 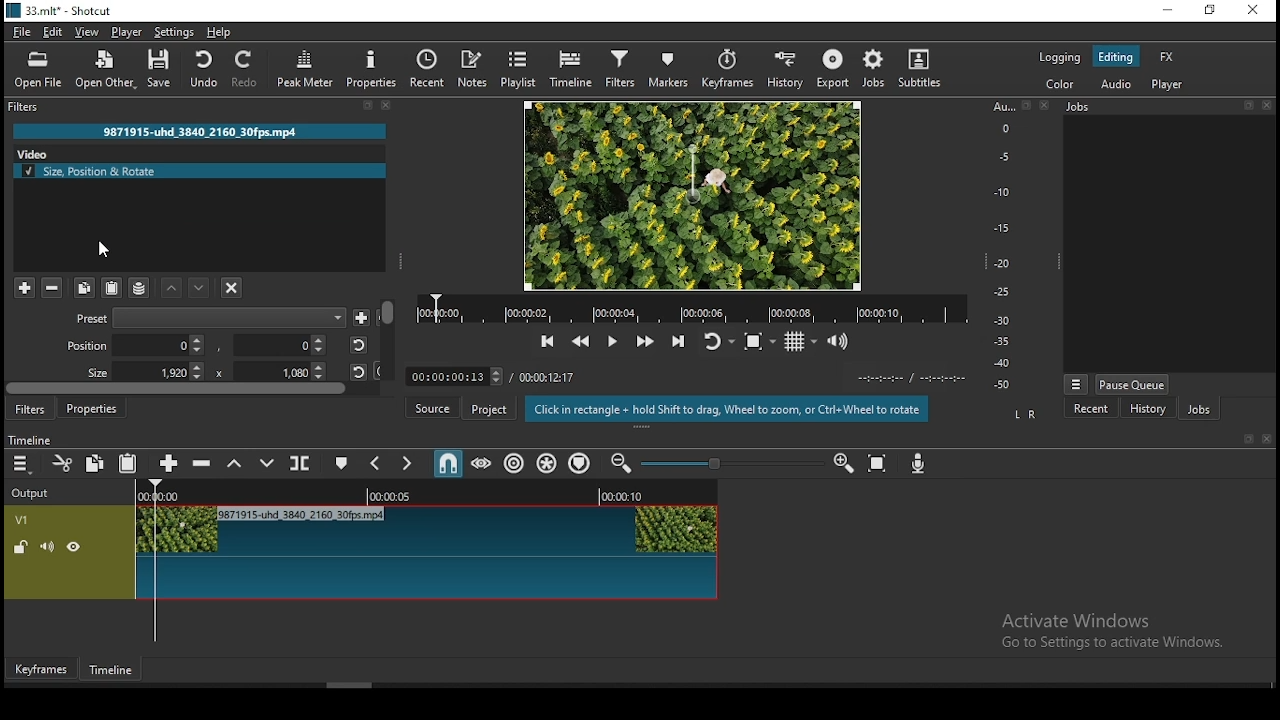 I want to click on Output, so click(x=30, y=494).